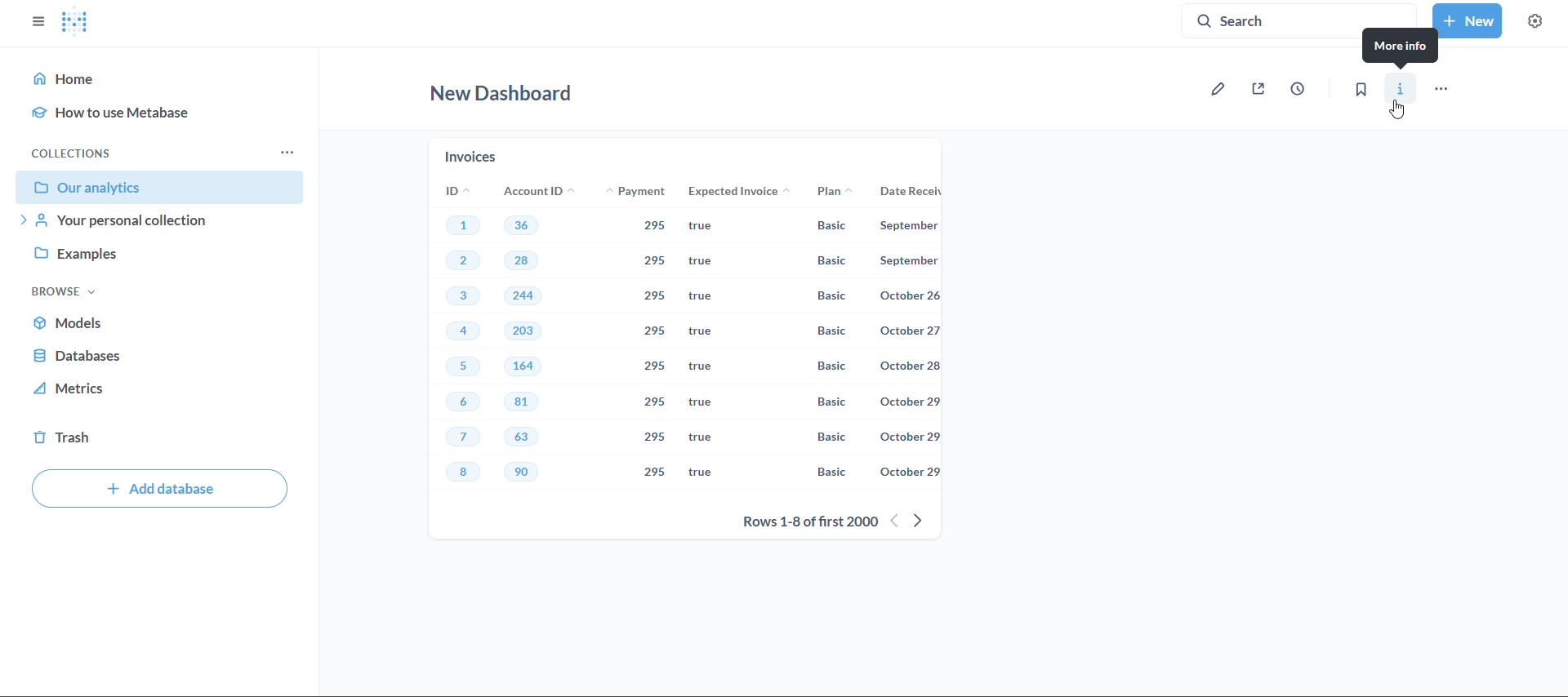 This screenshot has height=697, width=1568. What do you see at coordinates (1296, 89) in the screenshot?
I see `auto-refresh` at bounding box center [1296, 89].